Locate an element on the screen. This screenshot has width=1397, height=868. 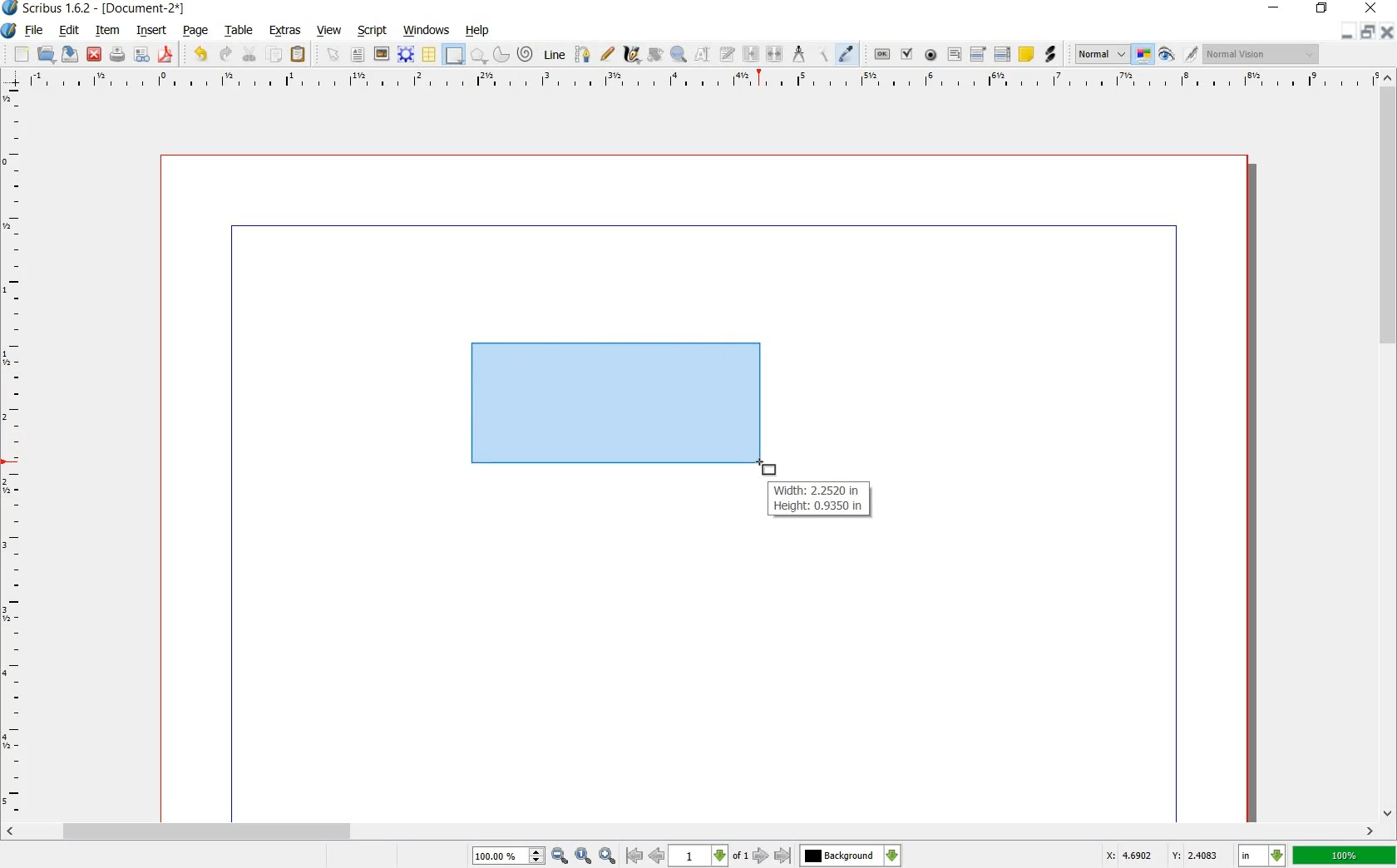
COPY is located at coordinates (276, 55).